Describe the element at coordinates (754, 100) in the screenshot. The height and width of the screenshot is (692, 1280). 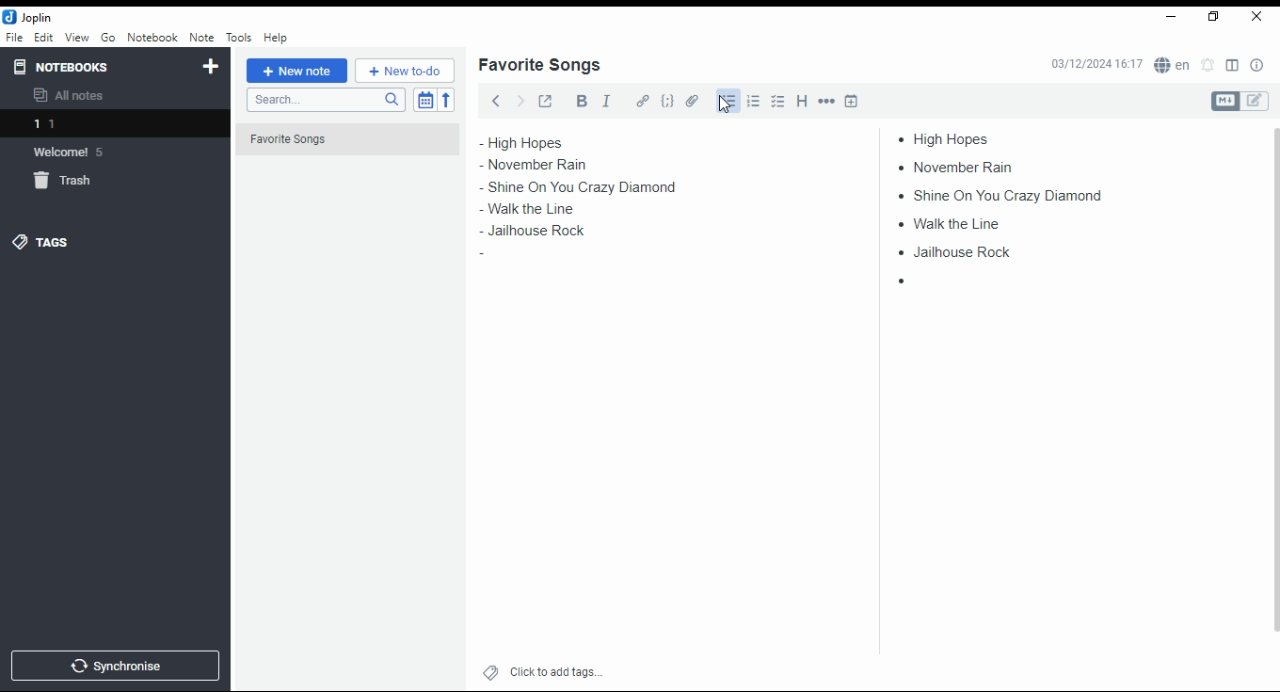
I see `number list` at that location.